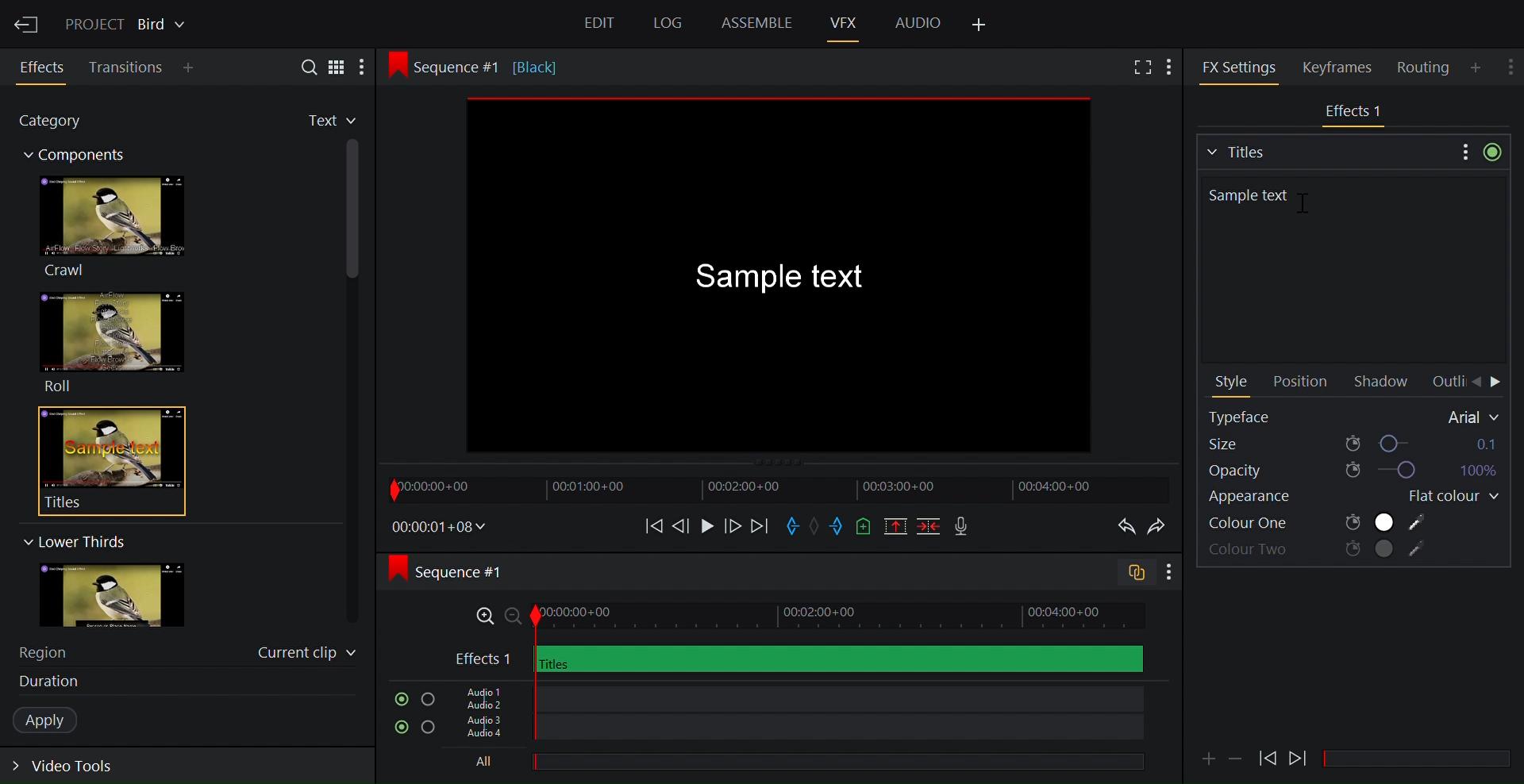 This screenshot has height=784, width=1524. I want to click on Delete/cut, so click(930, 528).